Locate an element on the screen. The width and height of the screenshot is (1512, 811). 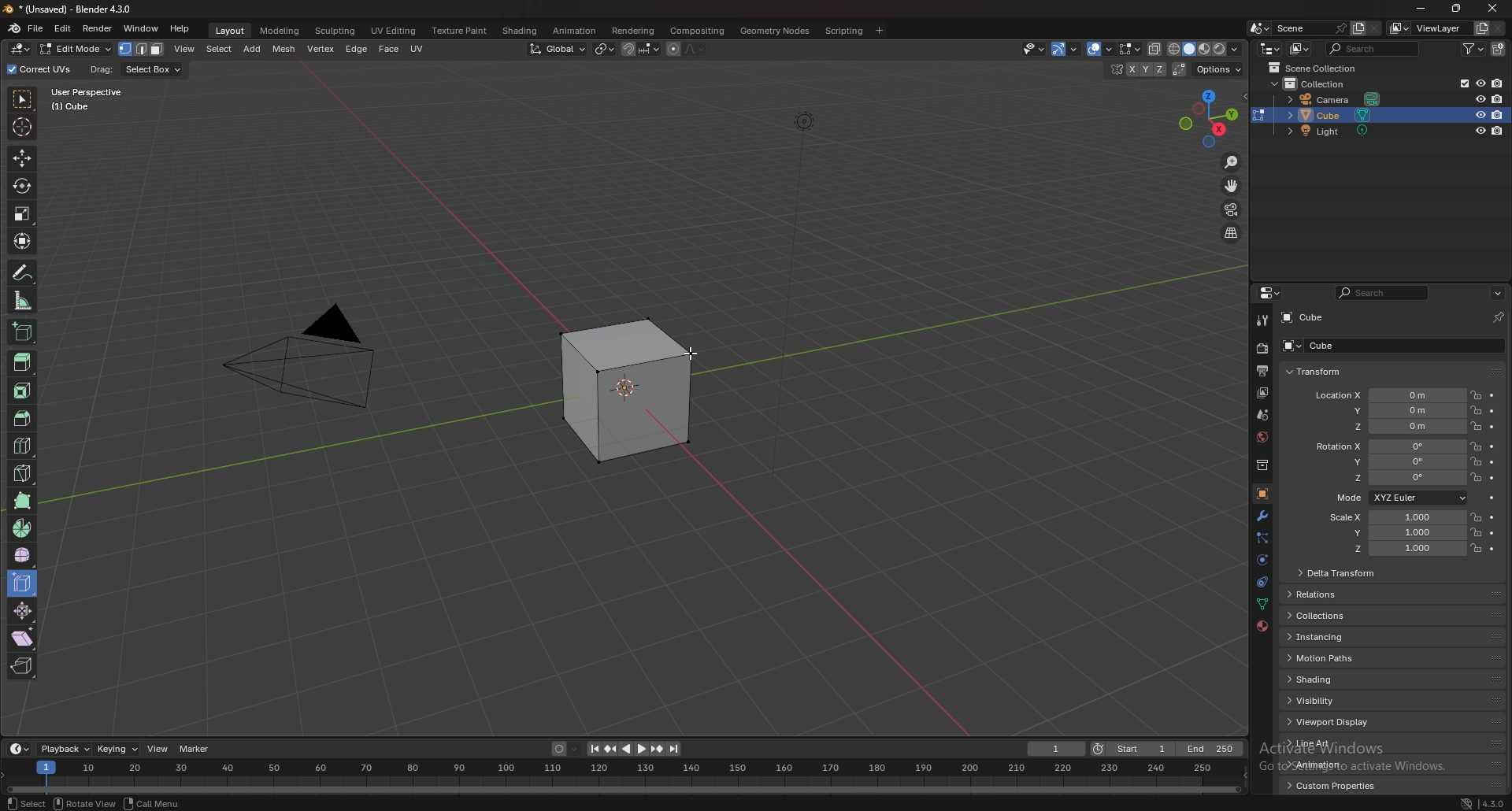
relations is located at coordinates (1325, 595).